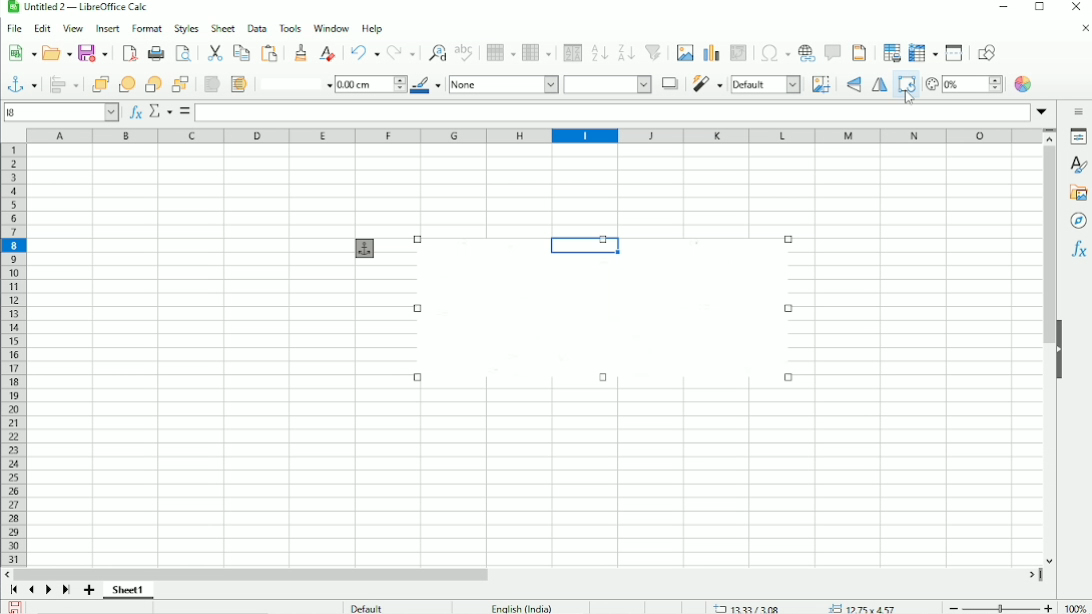 Image resolution: width=1092 pixels, height=614 pixels. Describe the element at coordinates (860, 52) in the screenshot. I see `Headers and footers` at that location.